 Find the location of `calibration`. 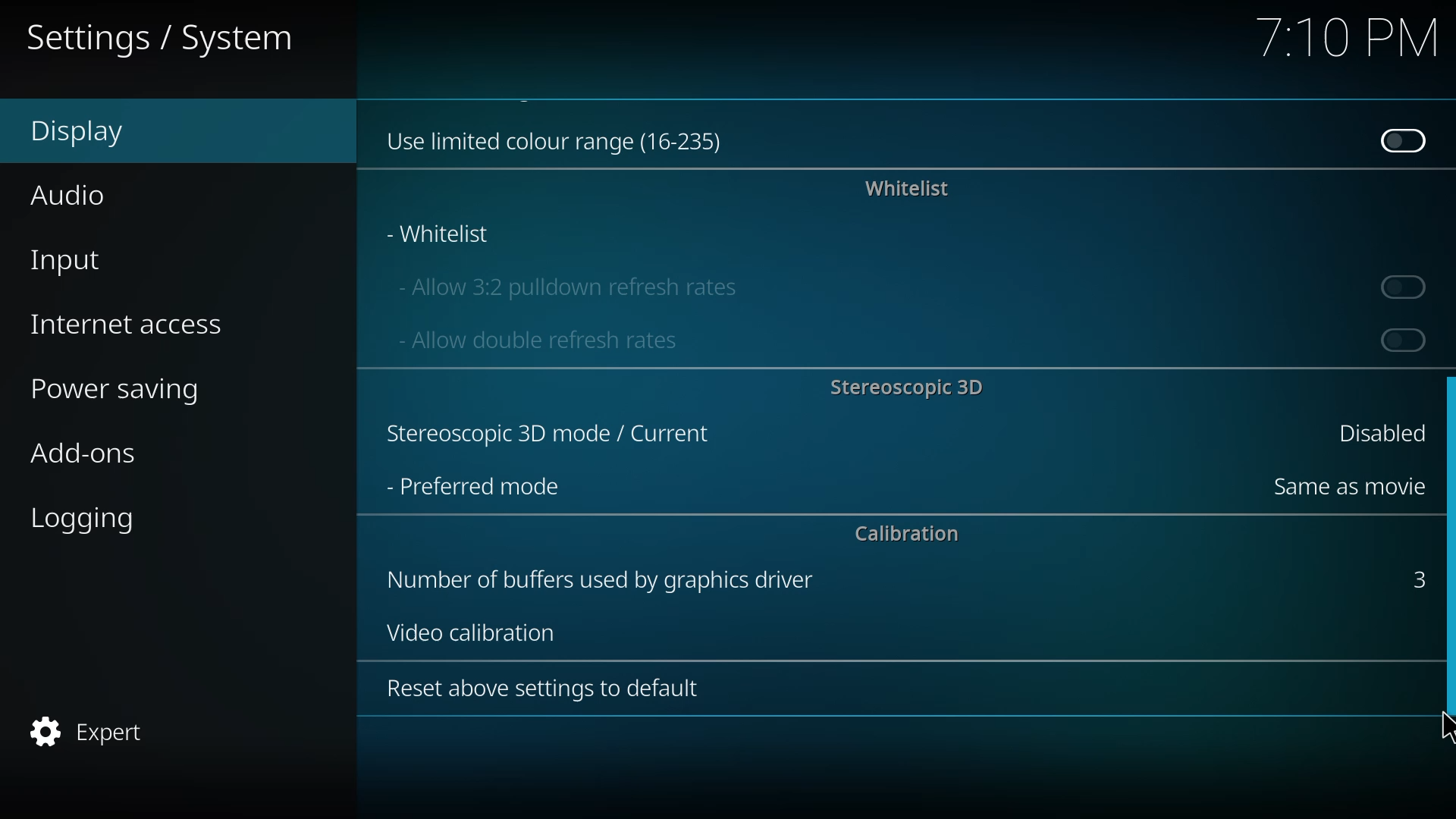

calibration is located at coordinates (906, 535).